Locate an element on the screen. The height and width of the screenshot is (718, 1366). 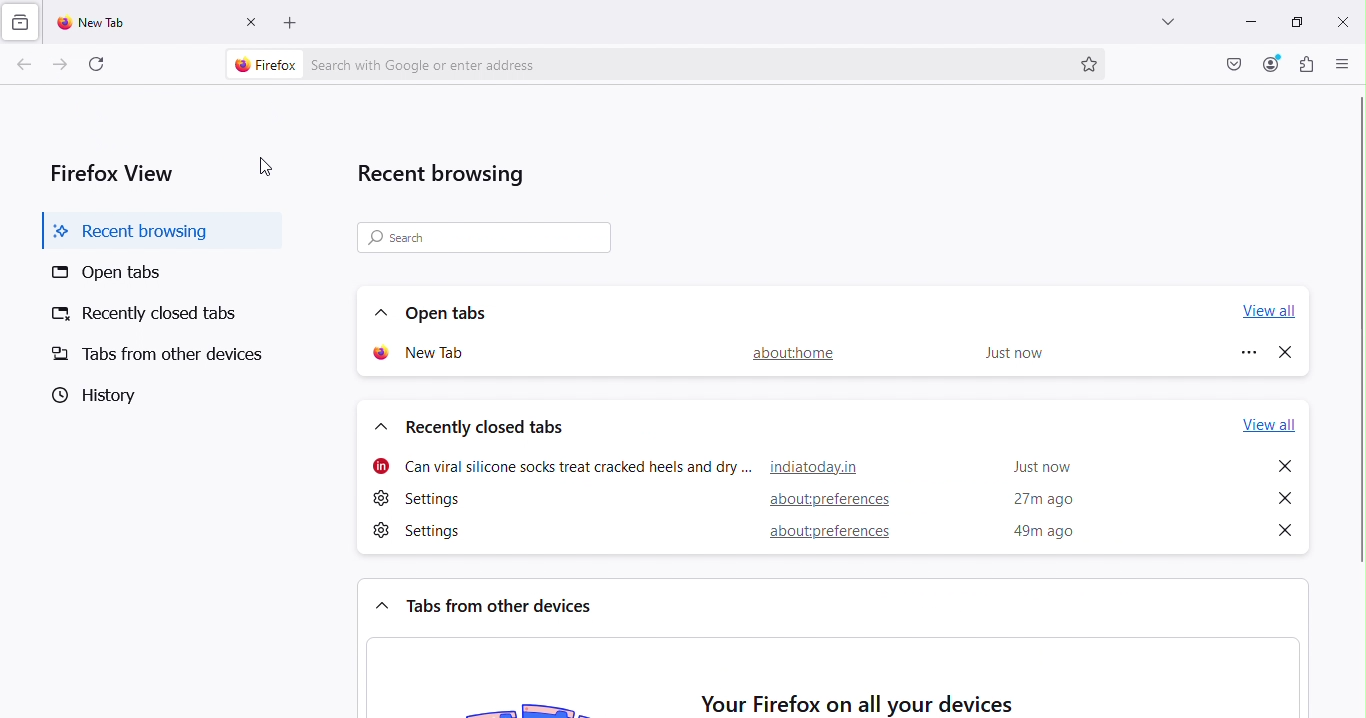
New tab is located at coordinates (135, 22).